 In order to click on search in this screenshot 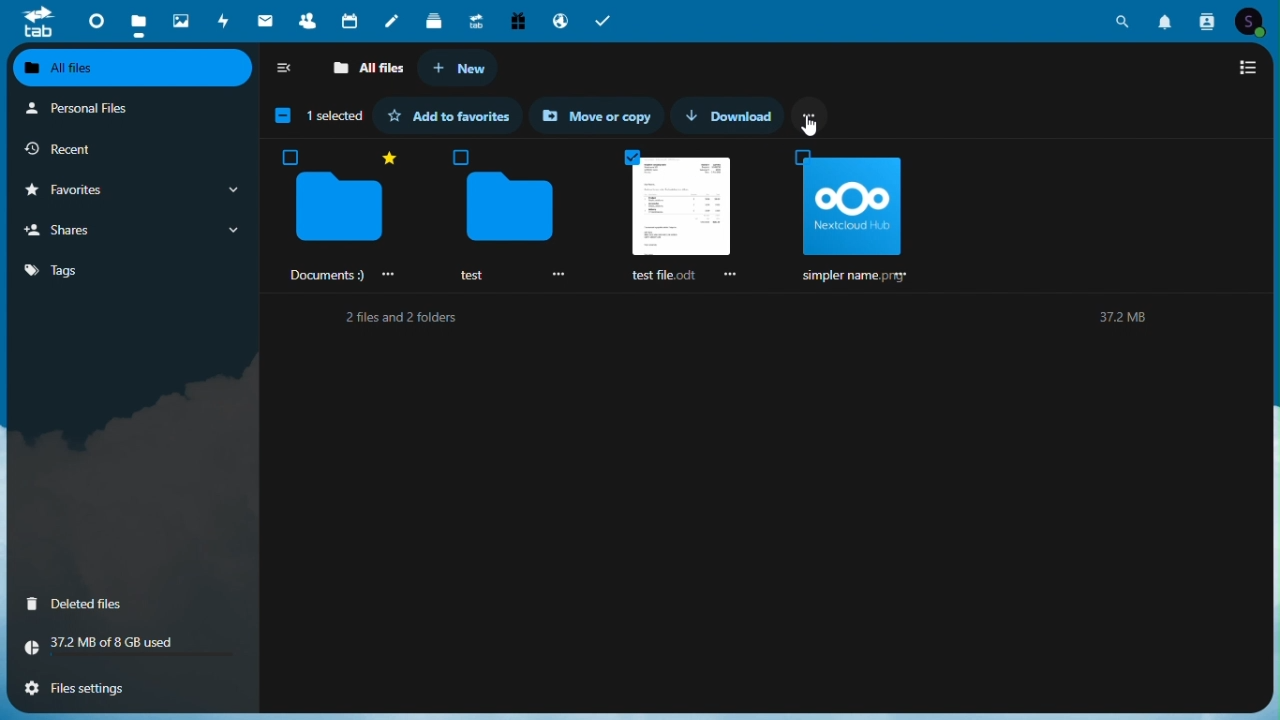, I will do `click(1125, 19)`.